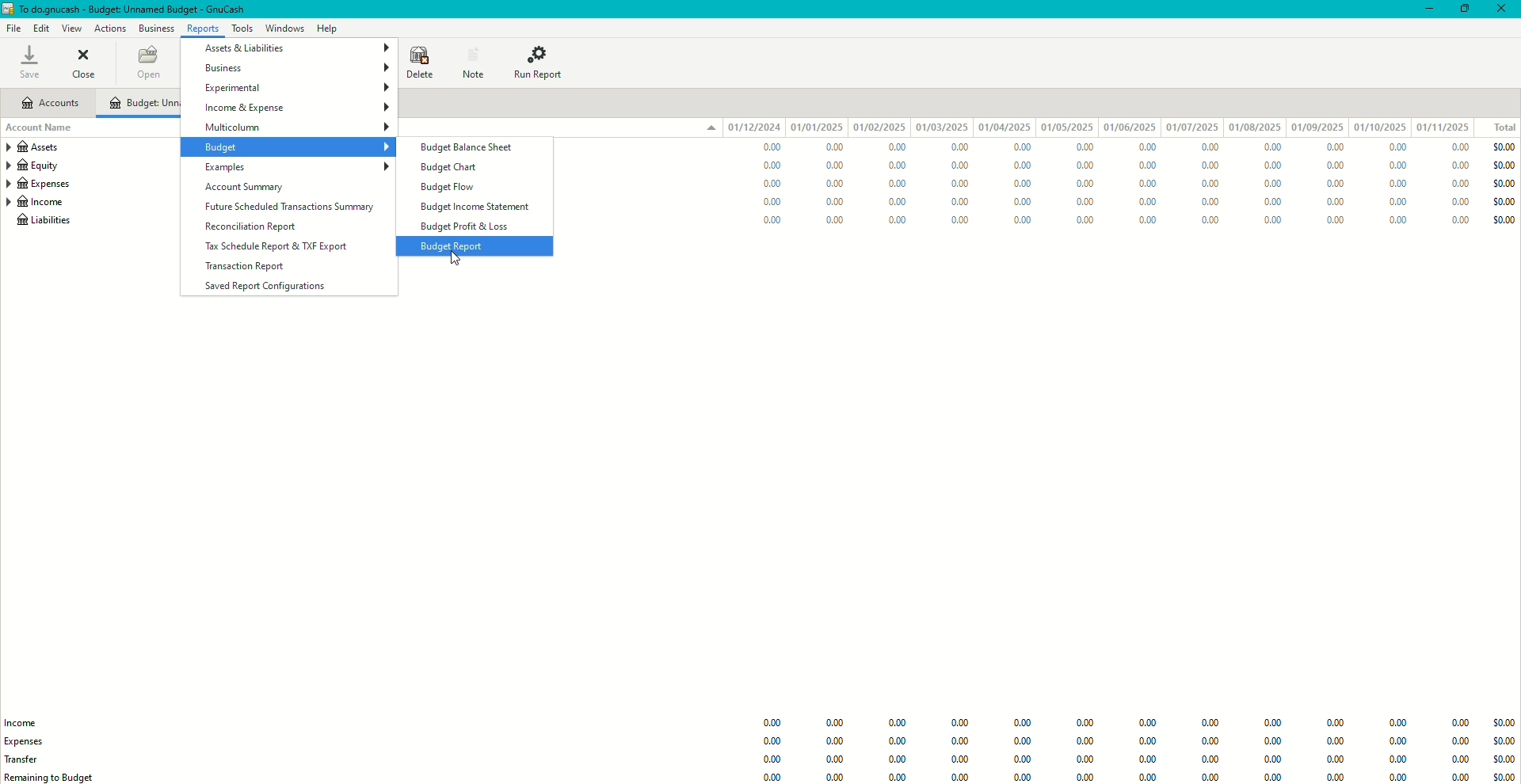 This screenshot has height=784, width=1521. What do you see at coordinates (36, 167) in the screenshot?
I see `Equity` at bounding box center [36, 167].